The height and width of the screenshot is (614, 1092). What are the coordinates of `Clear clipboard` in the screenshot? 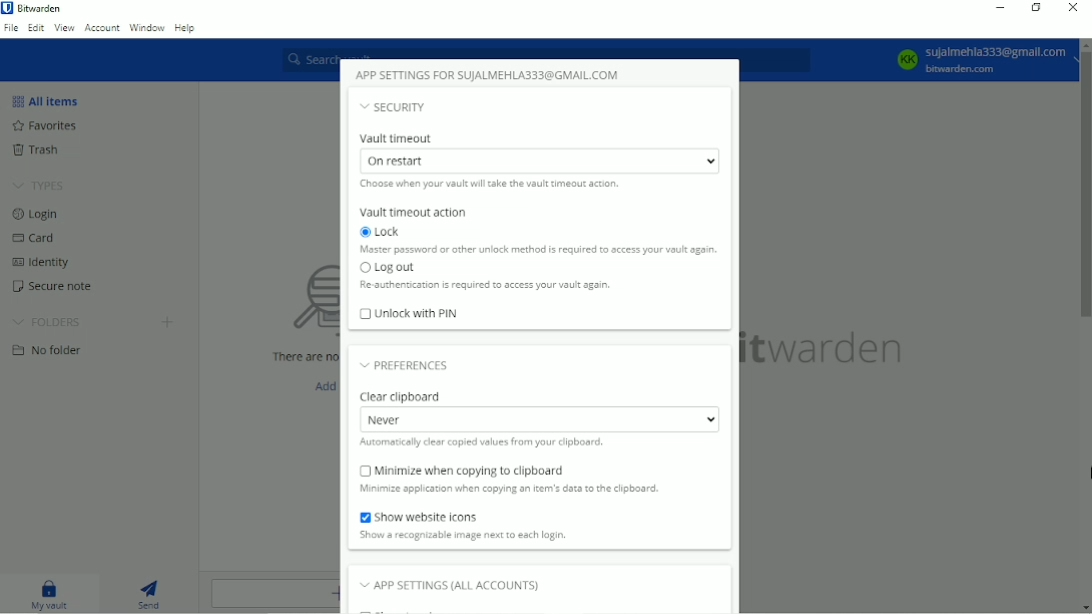 It's located at (406, 396).